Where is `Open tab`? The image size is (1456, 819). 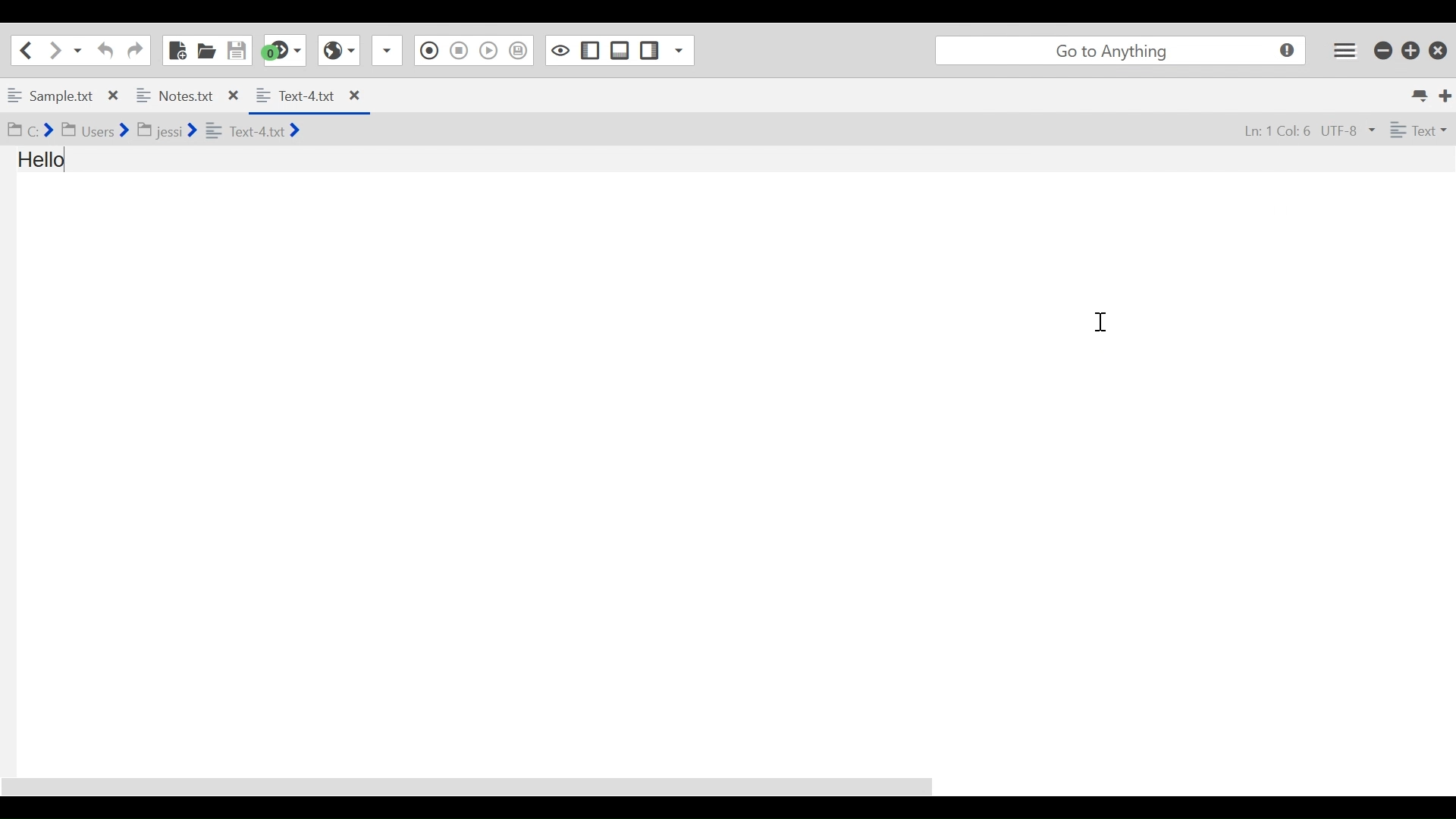 Open tab is located at coordinates (124, 97).